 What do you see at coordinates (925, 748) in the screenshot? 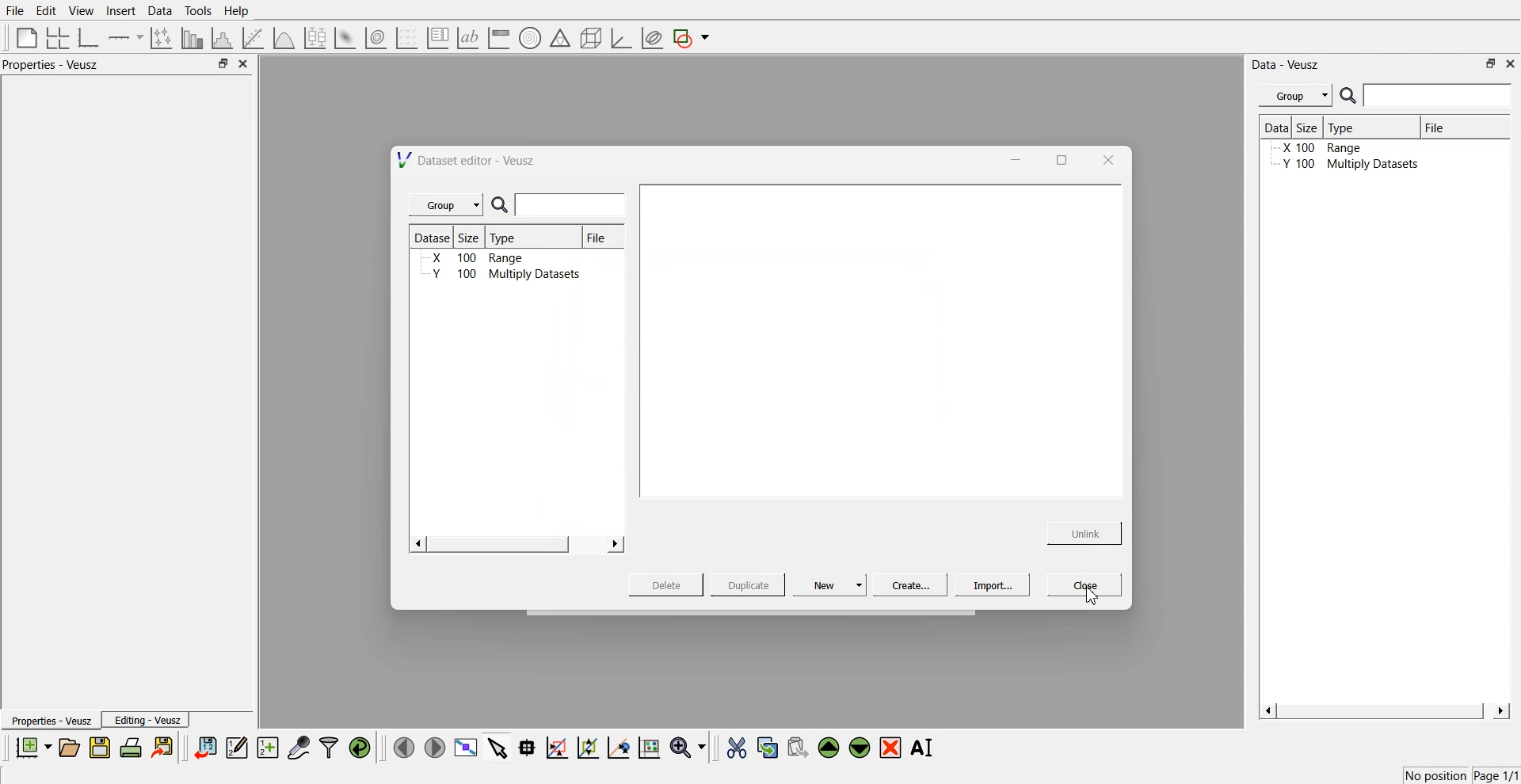
I see `Rename the selected widgets` at bounding box center [925, 748].